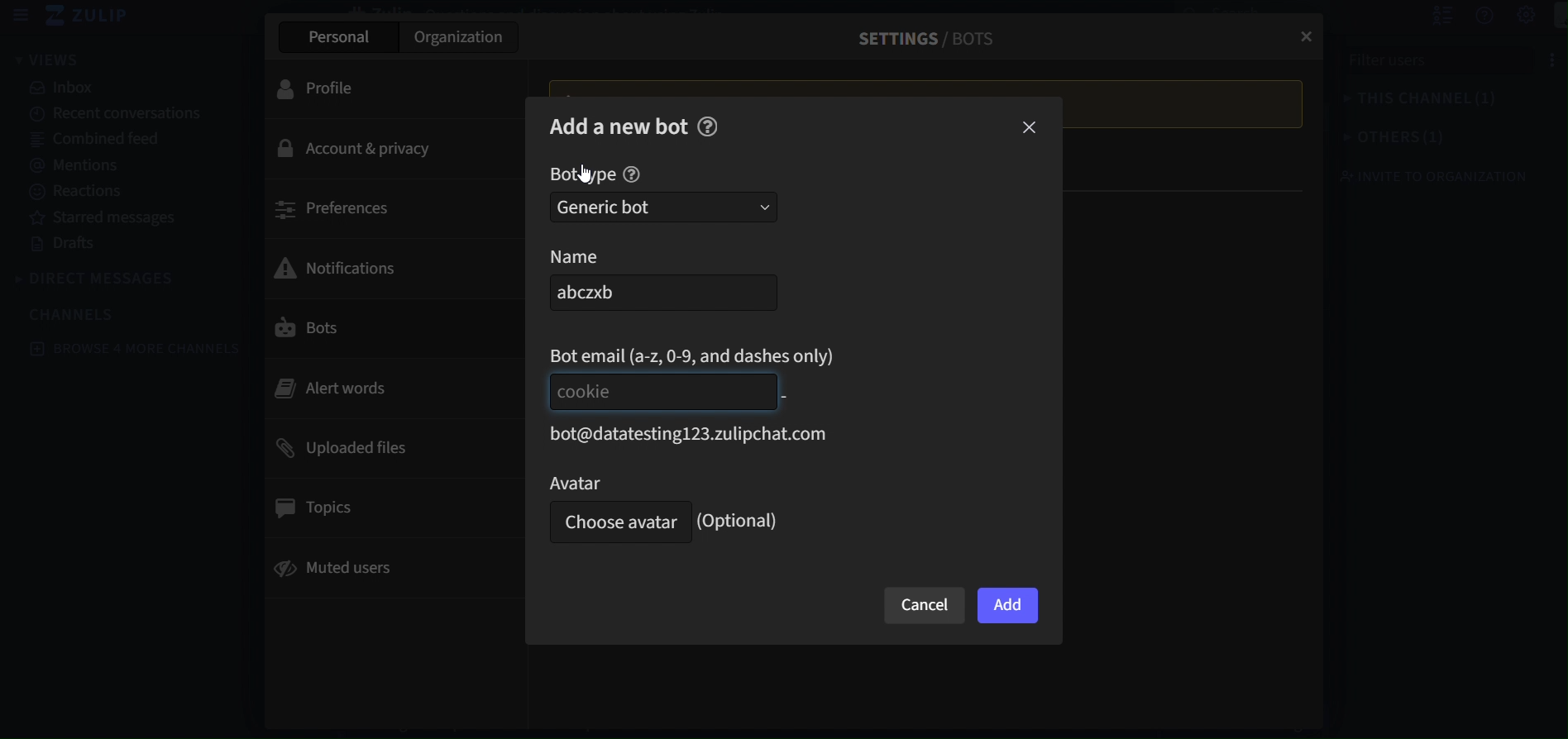 Image resolution: width=1568 pixels, height=739 pixels. I want to click on uploaded files, so click(389, 446).